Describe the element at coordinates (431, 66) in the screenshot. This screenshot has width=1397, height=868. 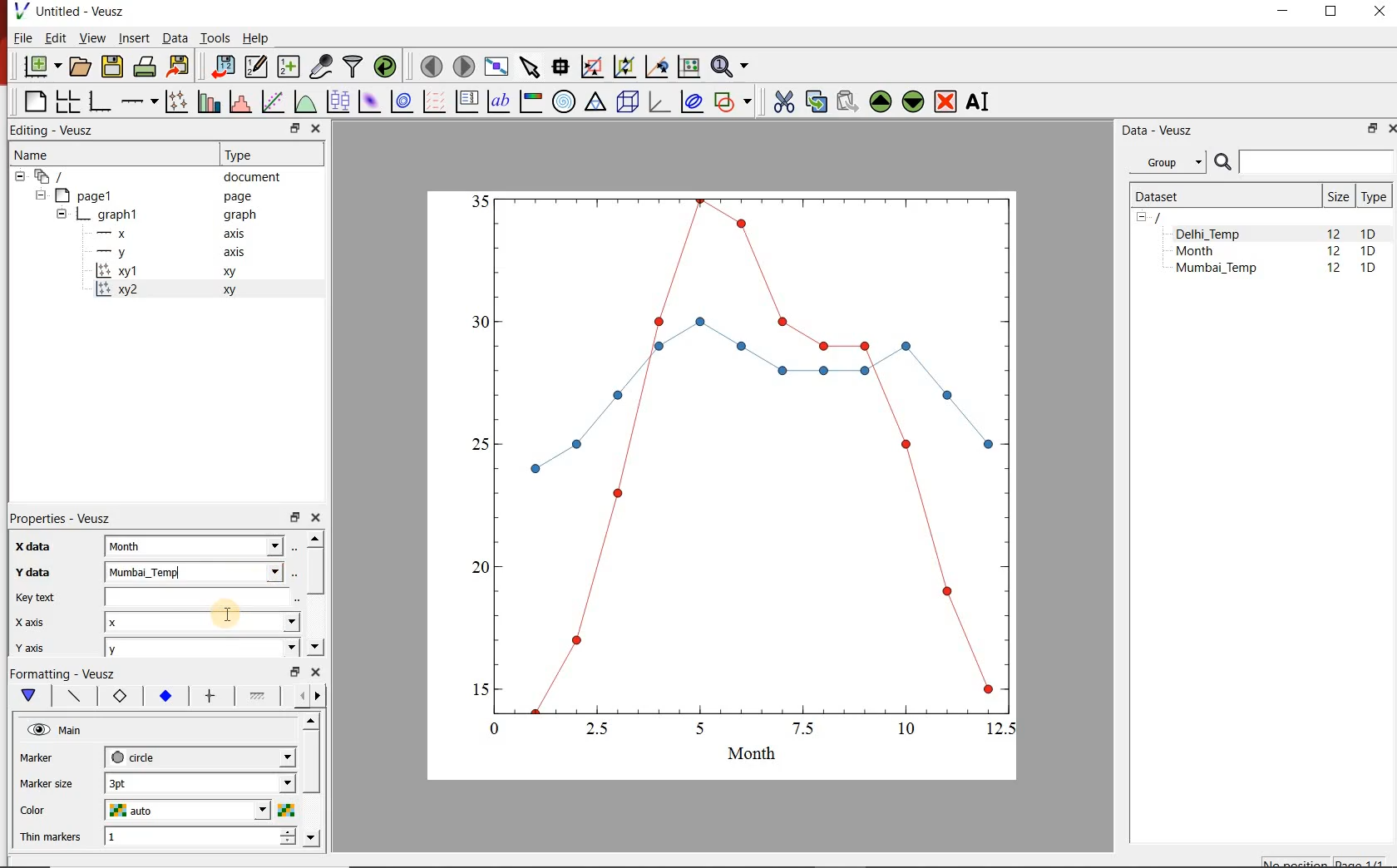
I see `move to the previous page` at that location.